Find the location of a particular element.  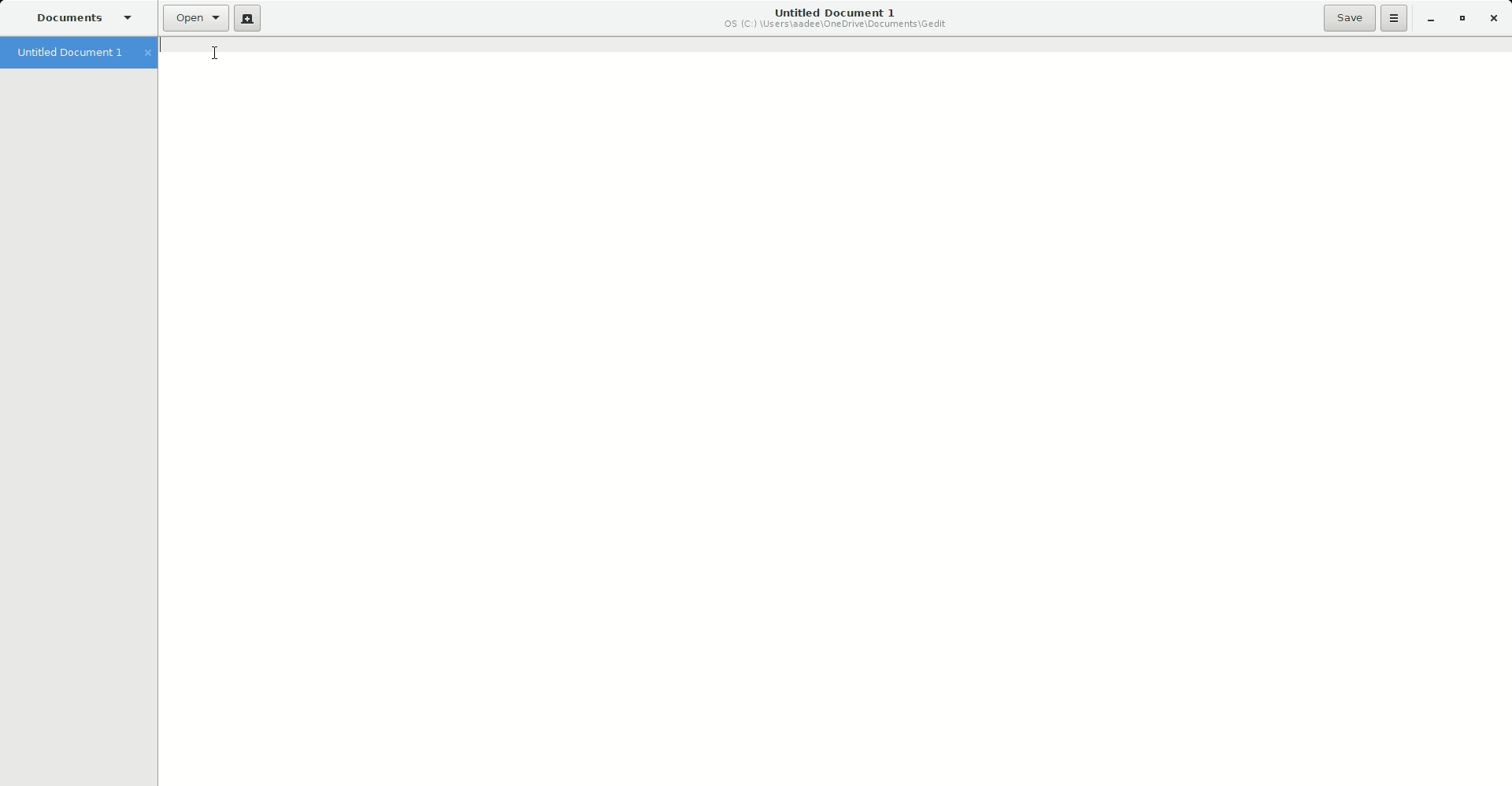

Save is located at coordinates (1349, 17).